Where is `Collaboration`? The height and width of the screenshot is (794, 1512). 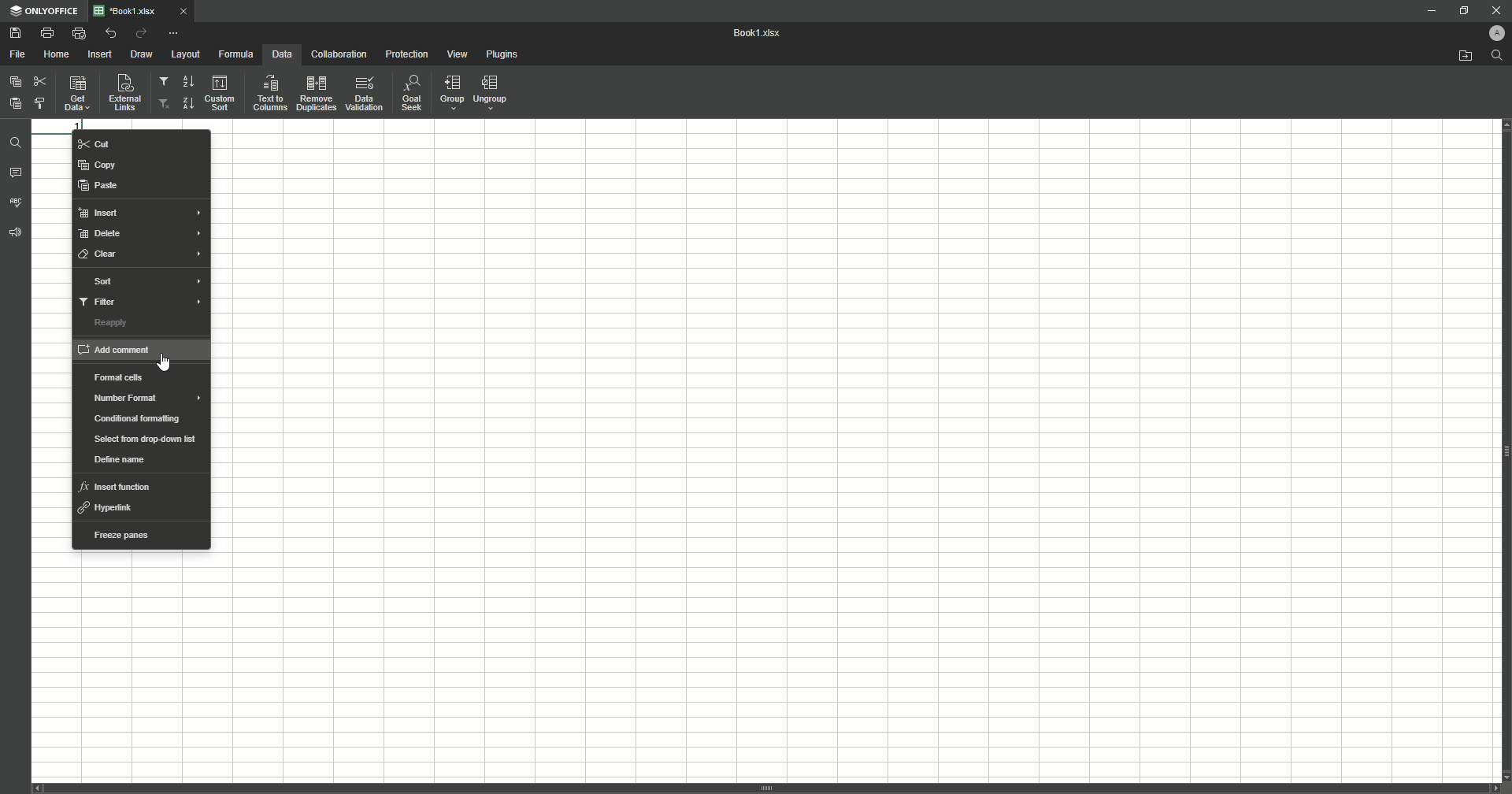 Collaboration is located at coordinates (338, 55).